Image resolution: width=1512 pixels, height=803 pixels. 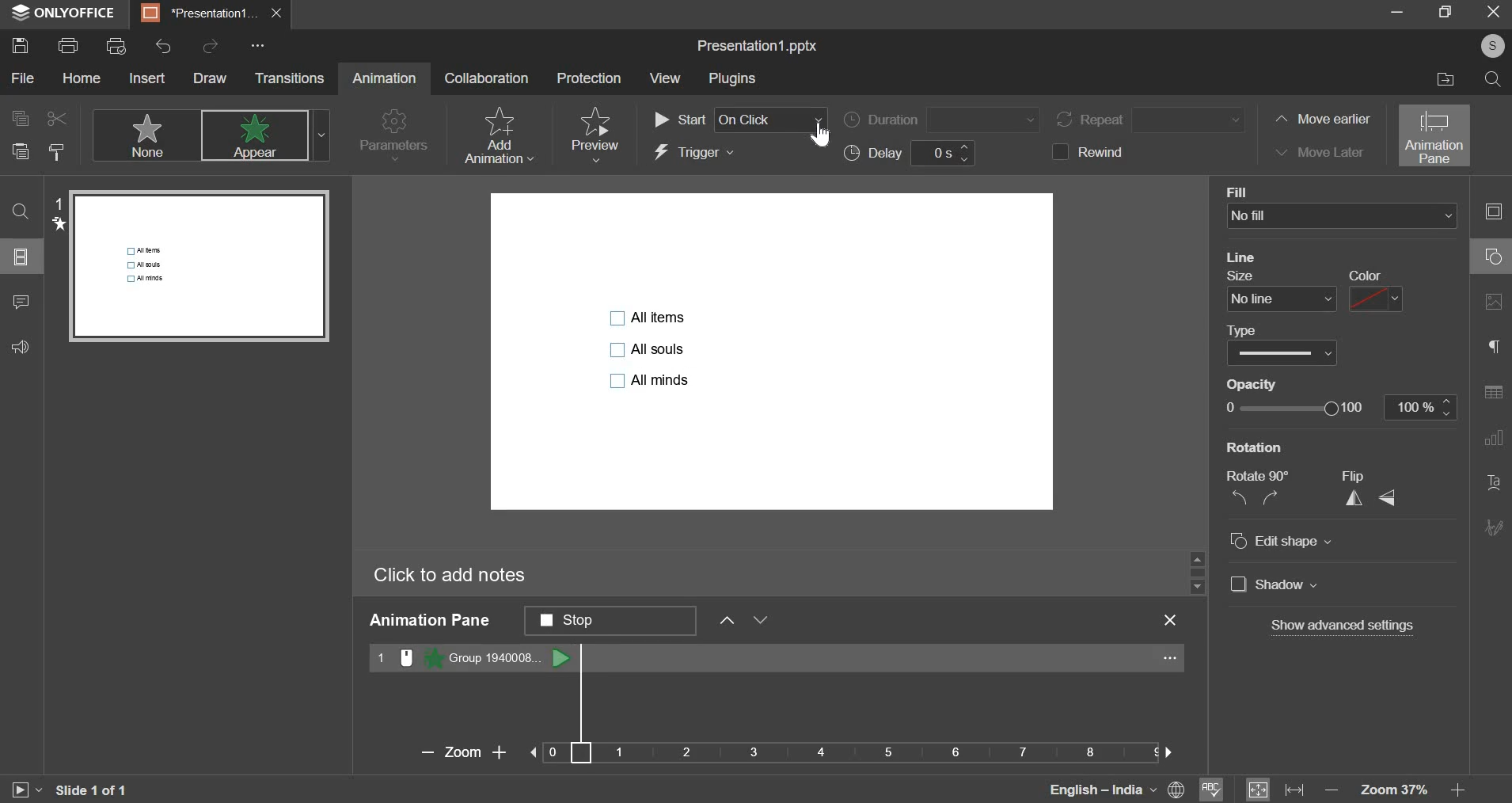 What do you see at coordinates (587, 78) in the screenshot?
I see `protection` at bounding box center [587, 78].